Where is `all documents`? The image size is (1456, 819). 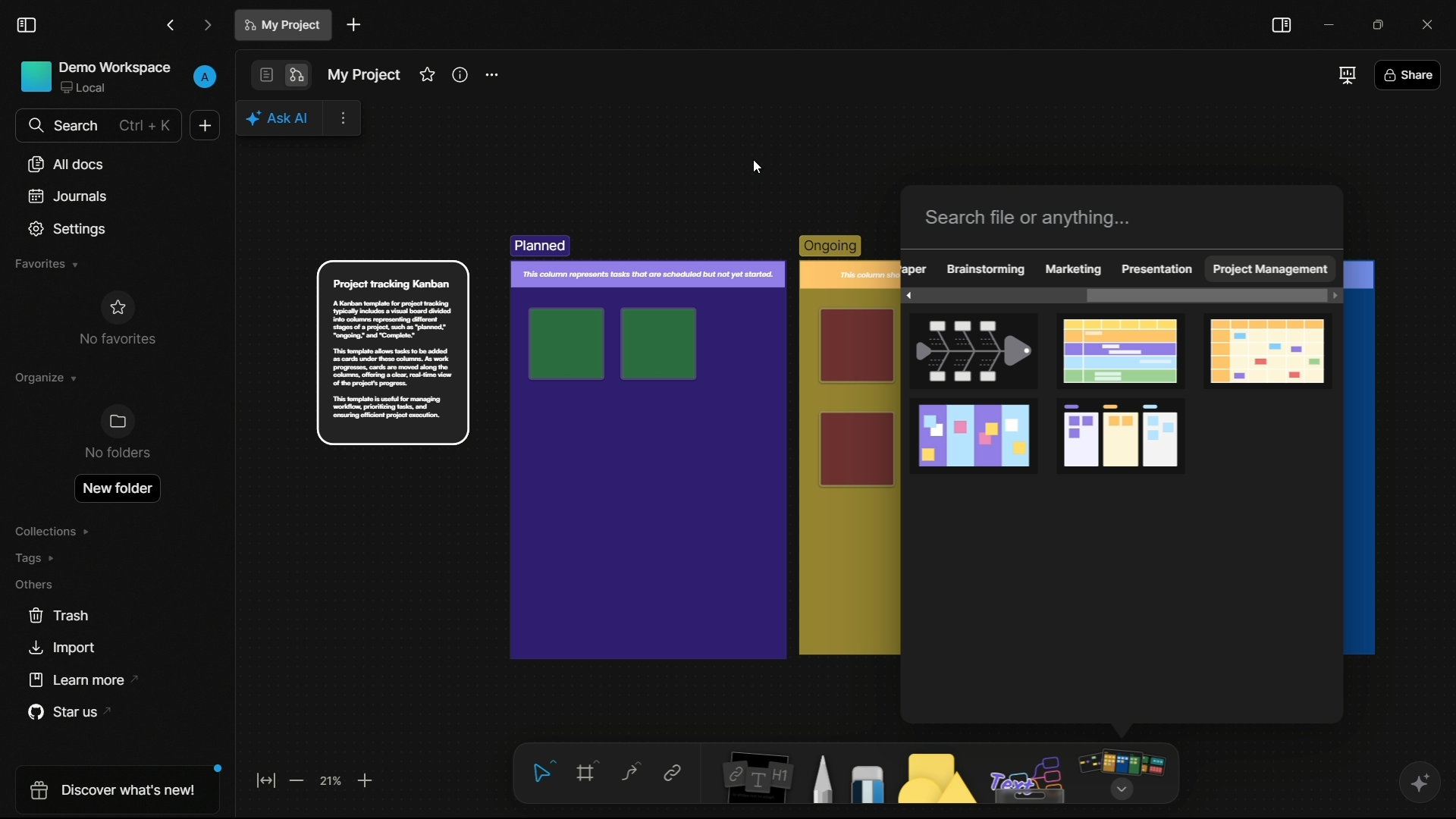 all documents is located at coordinates (67, 164).